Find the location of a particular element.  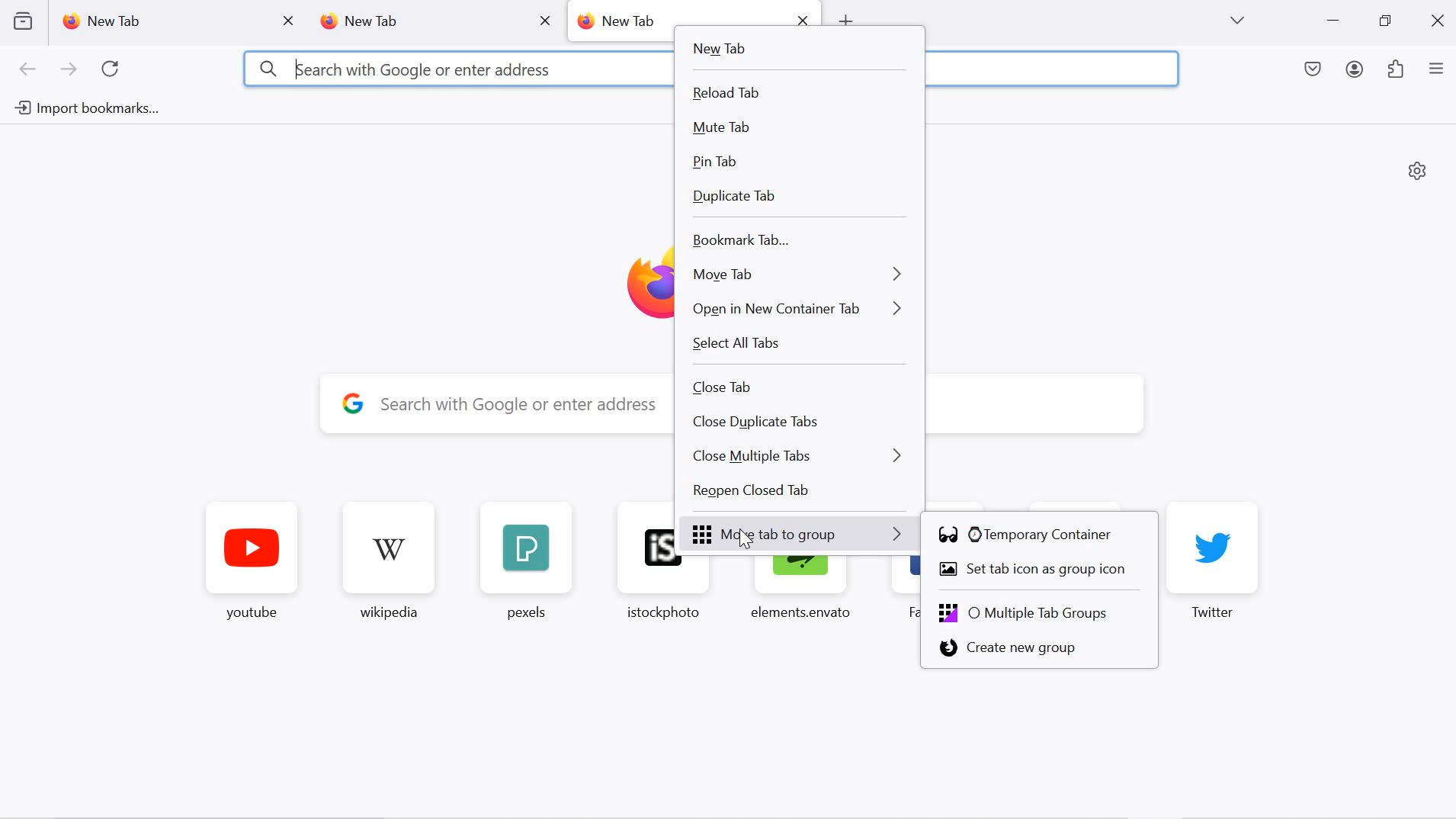

account is located at coordinates (1357, 72).